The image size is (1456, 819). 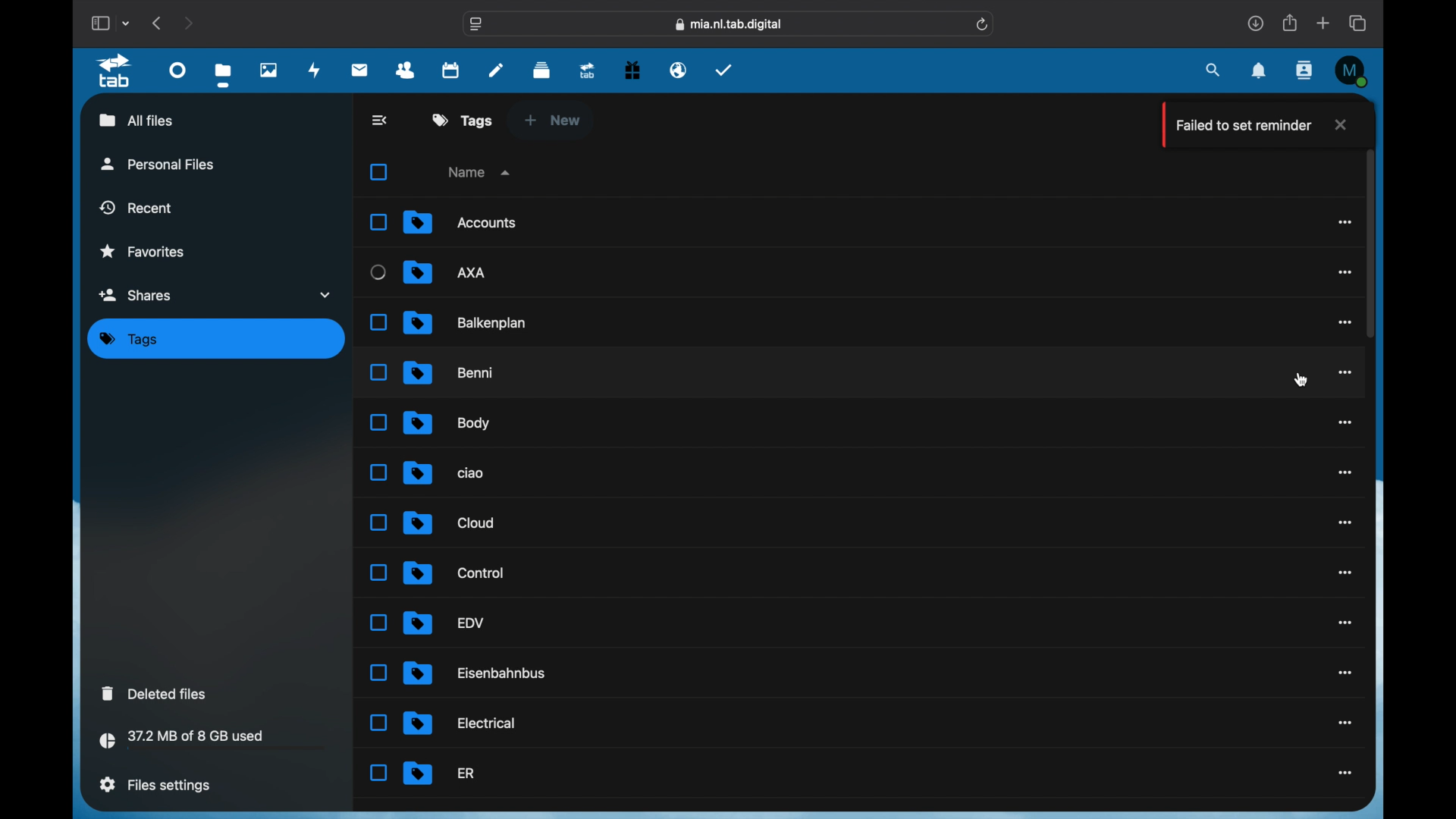 I want to click on Unselected Checkbox, so click(x=377, y=422).